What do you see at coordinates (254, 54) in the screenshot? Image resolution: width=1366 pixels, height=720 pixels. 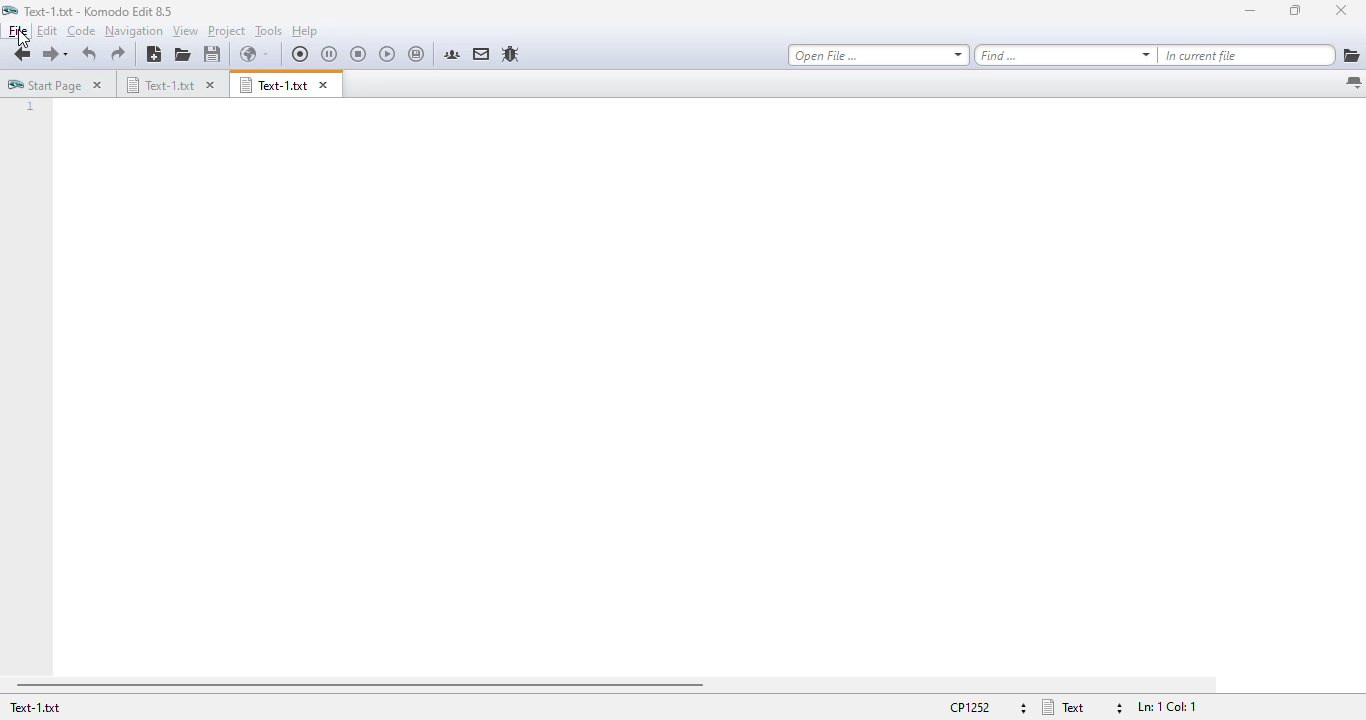 I see `preview buffer in browser` at bounding box center [254, 54].